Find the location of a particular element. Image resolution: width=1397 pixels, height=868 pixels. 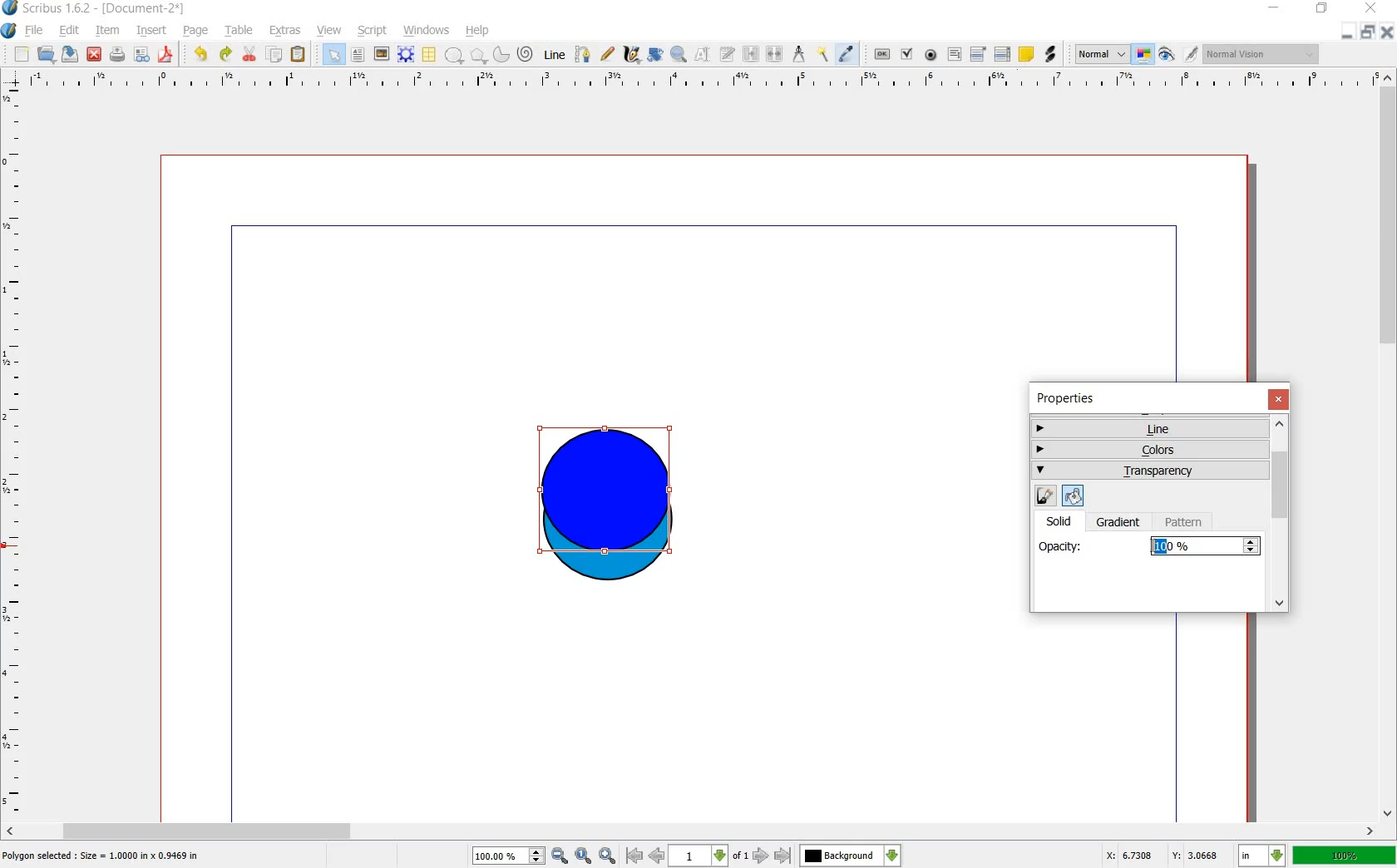

I-cursor is located at coordinates (1153, 546).